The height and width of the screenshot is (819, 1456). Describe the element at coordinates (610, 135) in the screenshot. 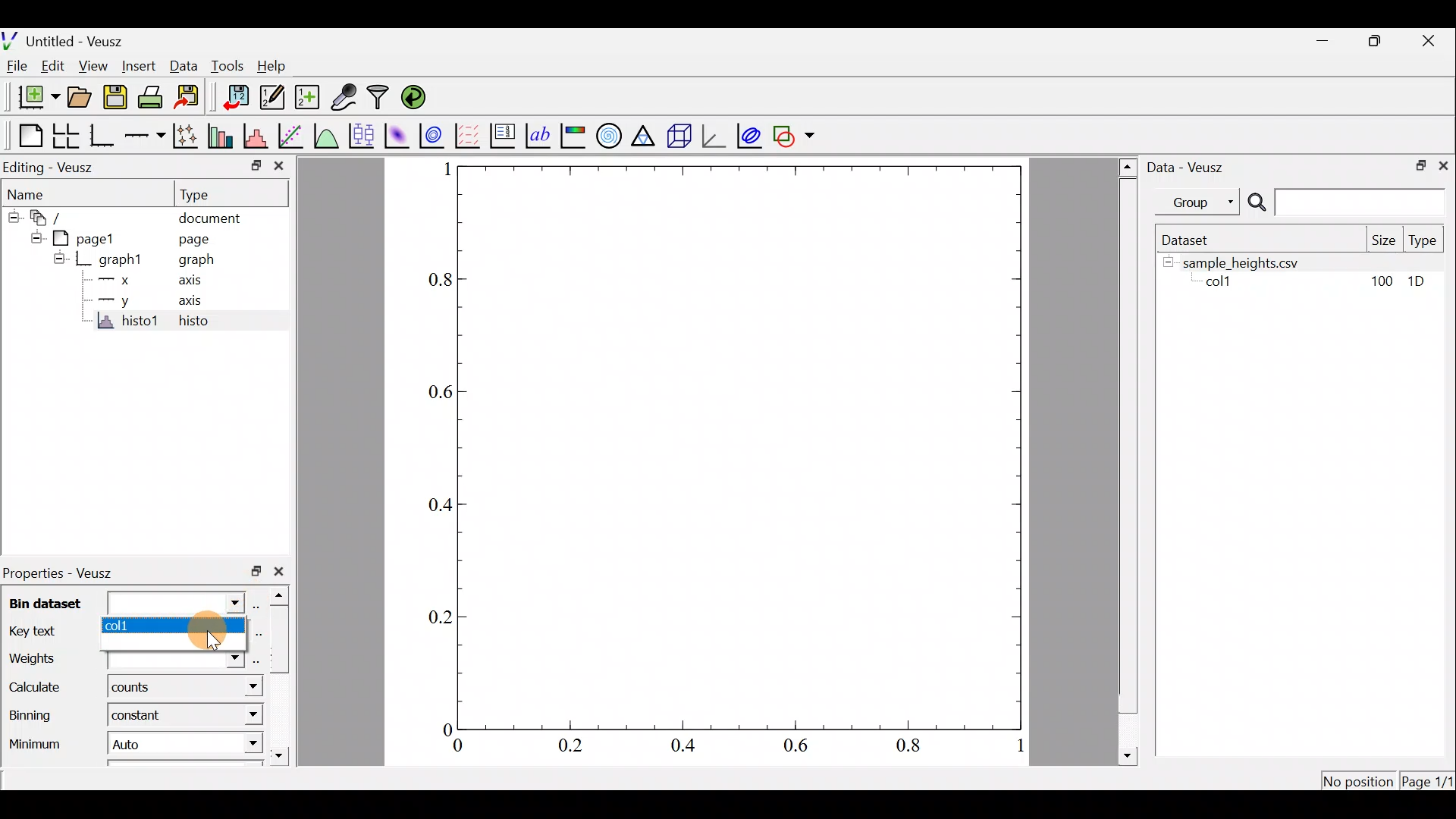

I see `polar graph` at that location.